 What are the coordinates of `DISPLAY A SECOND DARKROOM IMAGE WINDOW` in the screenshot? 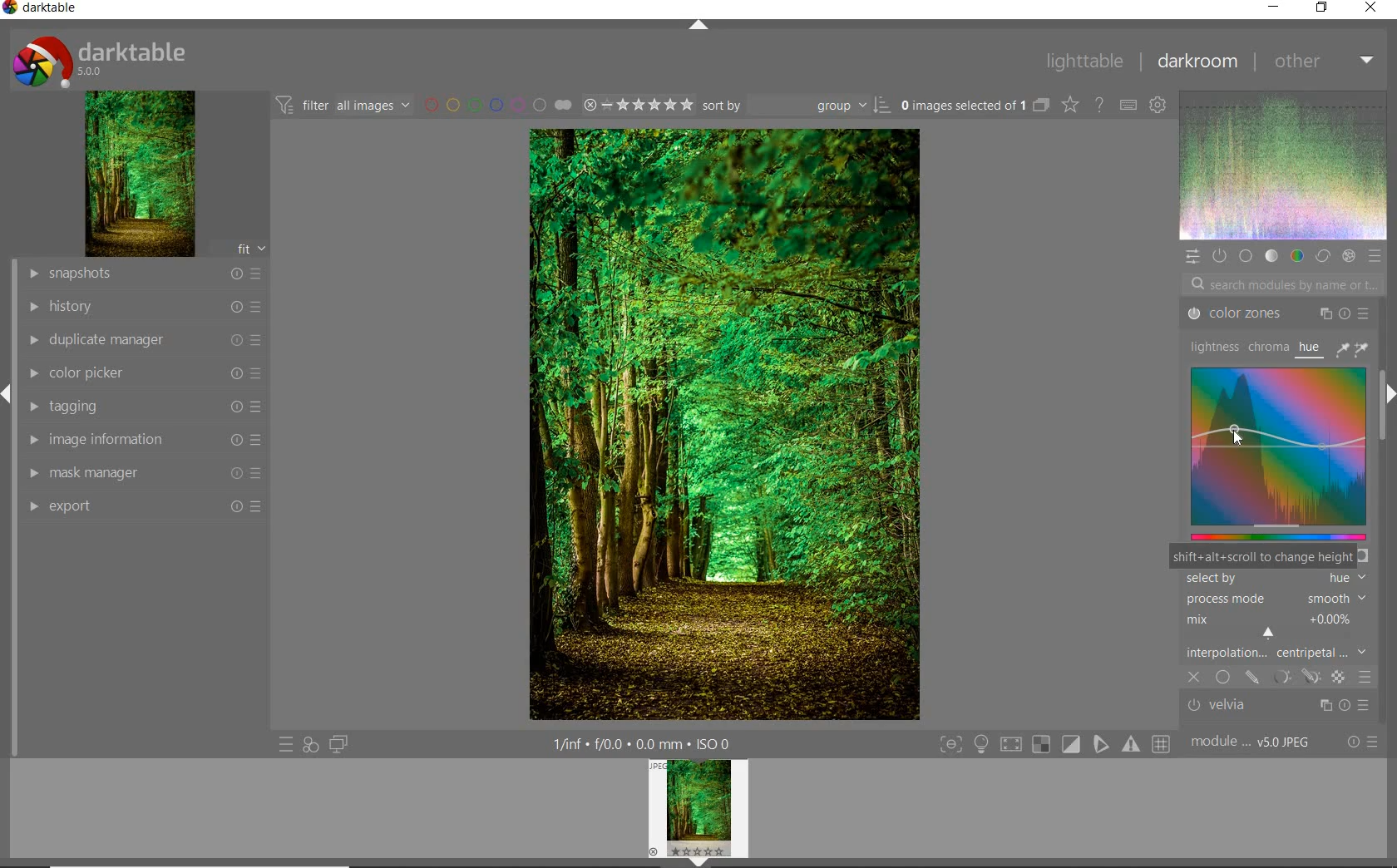 It's located at (338, 747).